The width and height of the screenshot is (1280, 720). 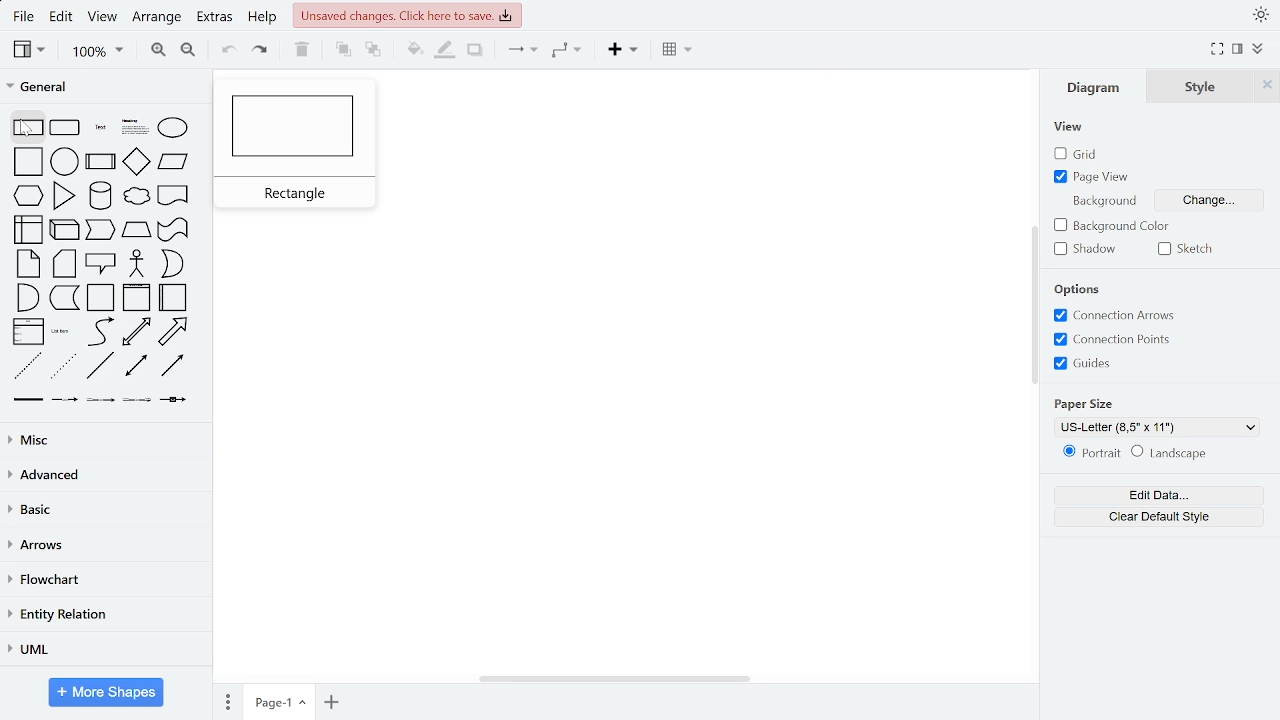 I want to click on arrows, so click(x=104, y=548).